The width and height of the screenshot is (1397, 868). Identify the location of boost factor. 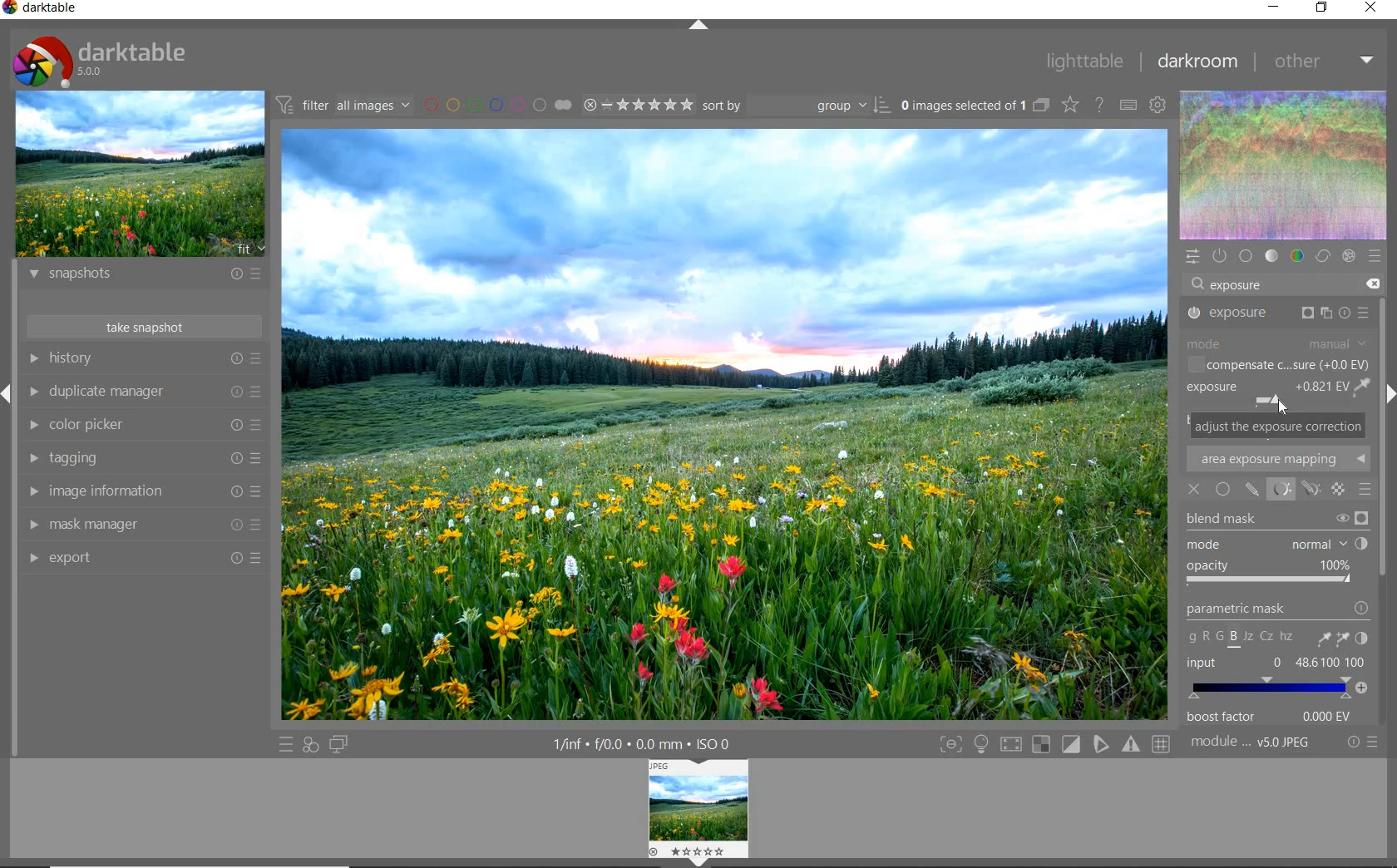
(1276, 718).